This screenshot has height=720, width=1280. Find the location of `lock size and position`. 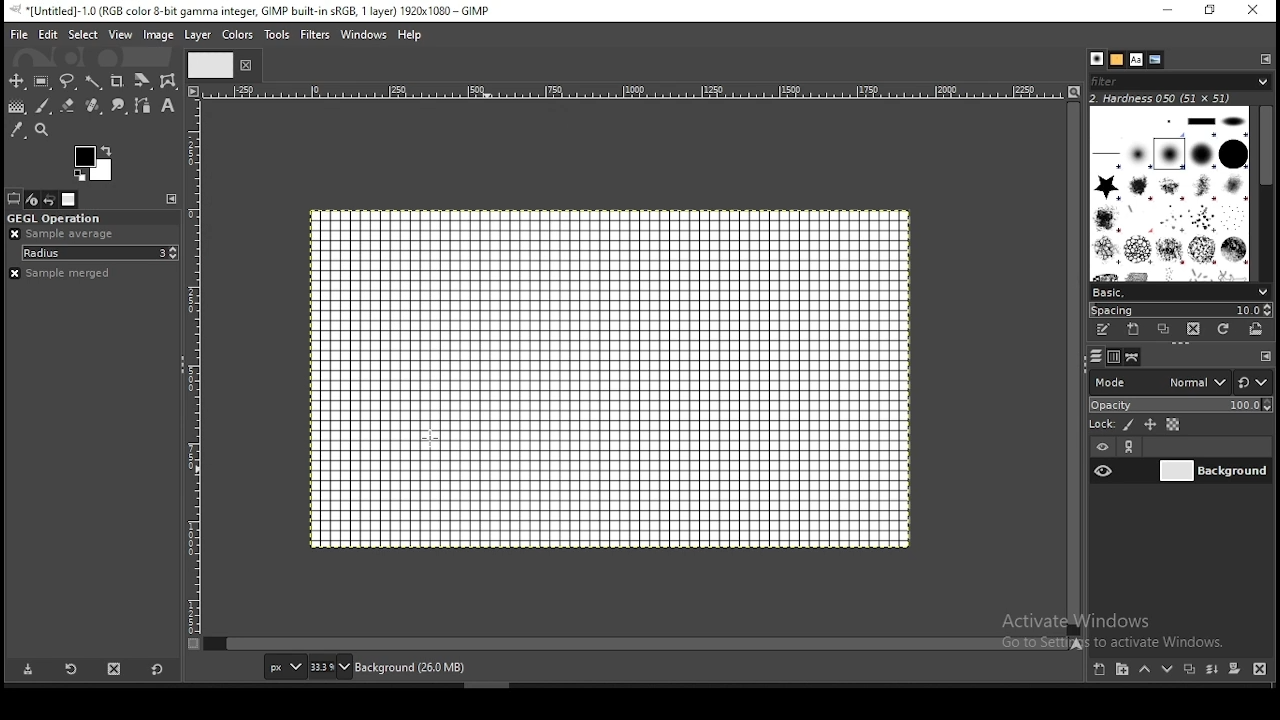

lock size and position is located at coordinates (1150, 424).